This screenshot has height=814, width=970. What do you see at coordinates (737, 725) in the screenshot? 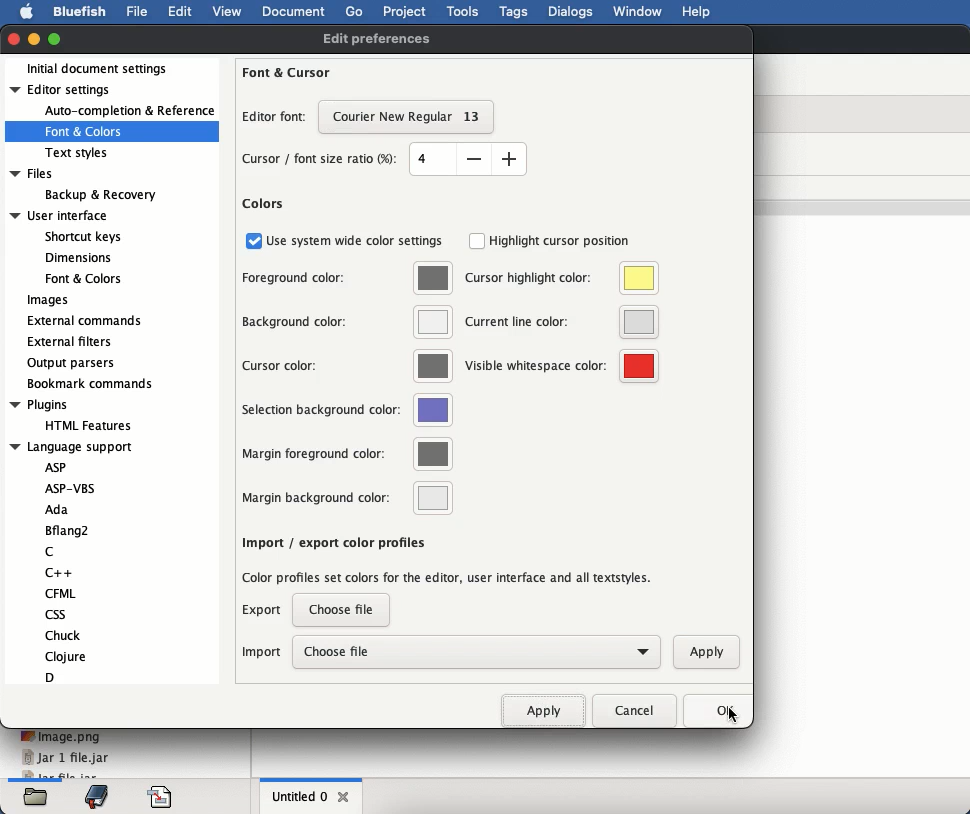
I see `click` at bounding box center [737, 725].